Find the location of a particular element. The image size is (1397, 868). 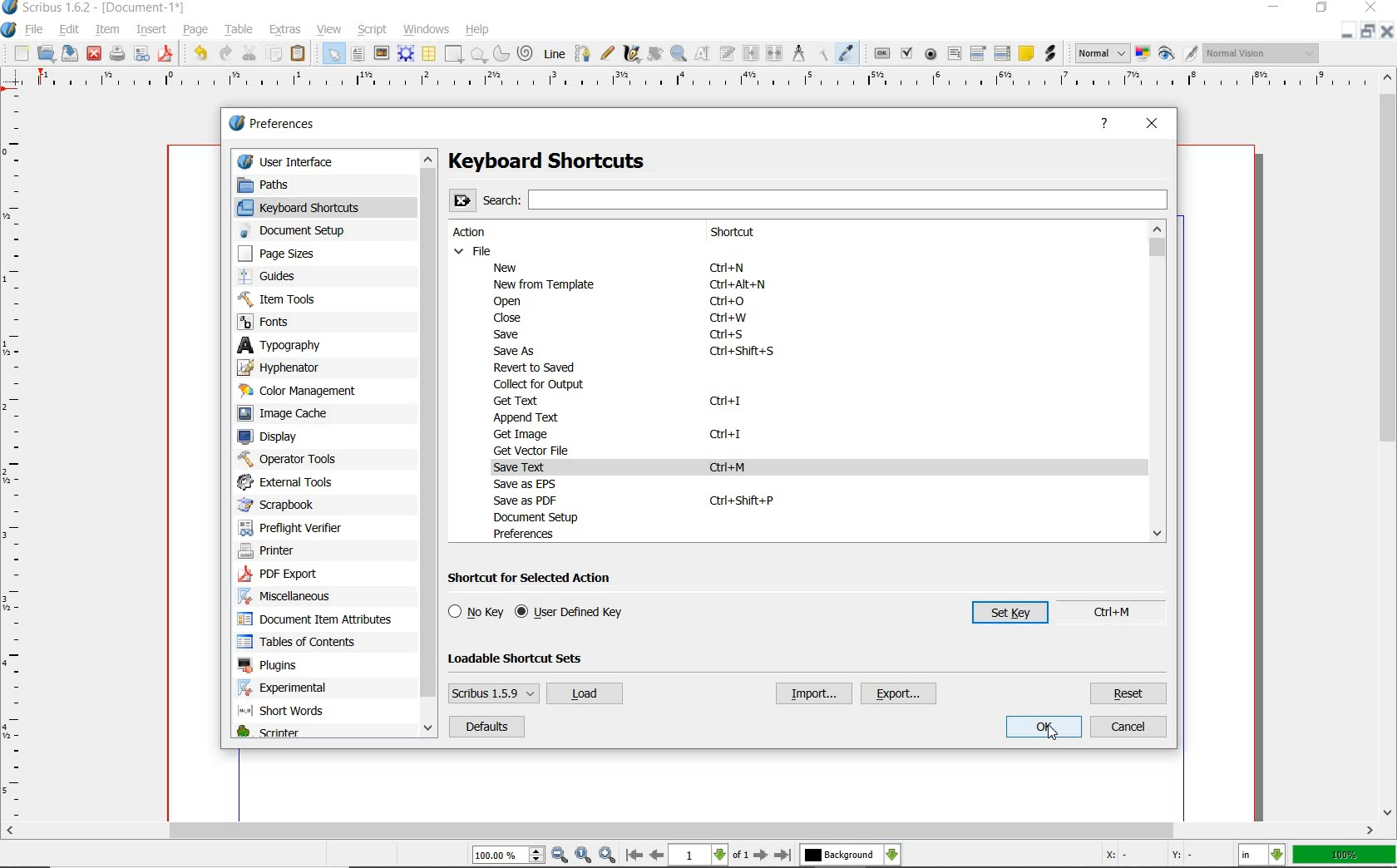

polygon is located at coordinates (478, 55).